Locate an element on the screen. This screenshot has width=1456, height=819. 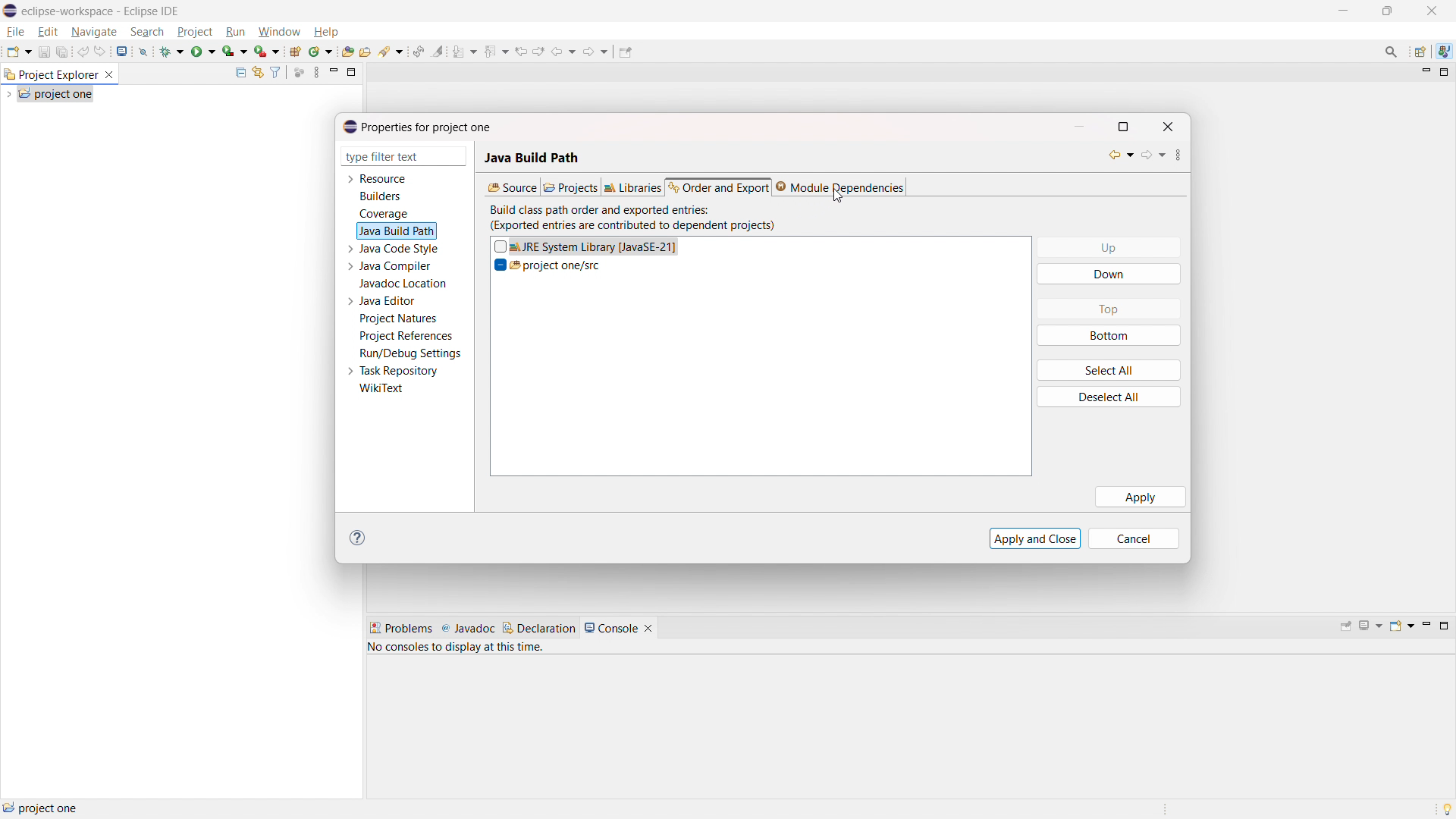
expand java editor is located at coordinates (350, 301).